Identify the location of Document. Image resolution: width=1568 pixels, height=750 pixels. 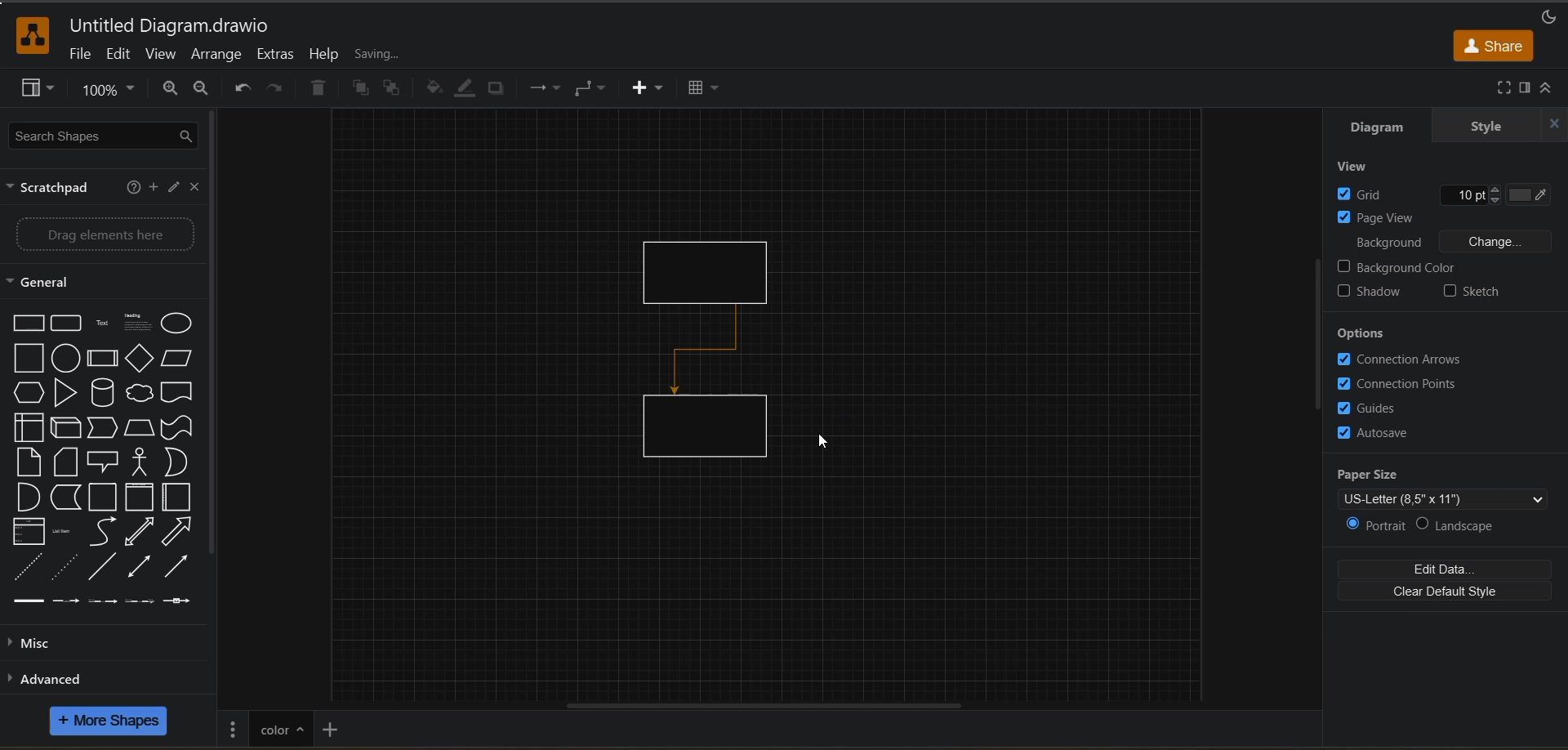
(179, 391).